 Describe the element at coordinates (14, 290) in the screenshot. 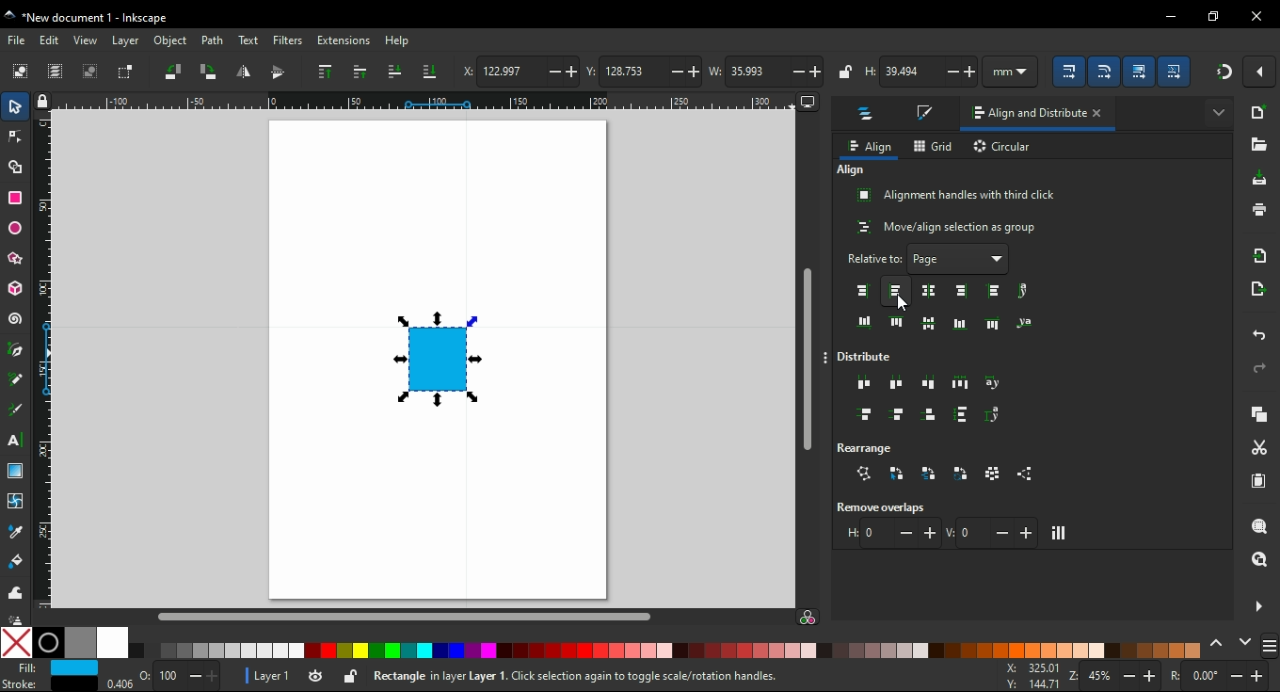

I see `3D box tool` at that location.